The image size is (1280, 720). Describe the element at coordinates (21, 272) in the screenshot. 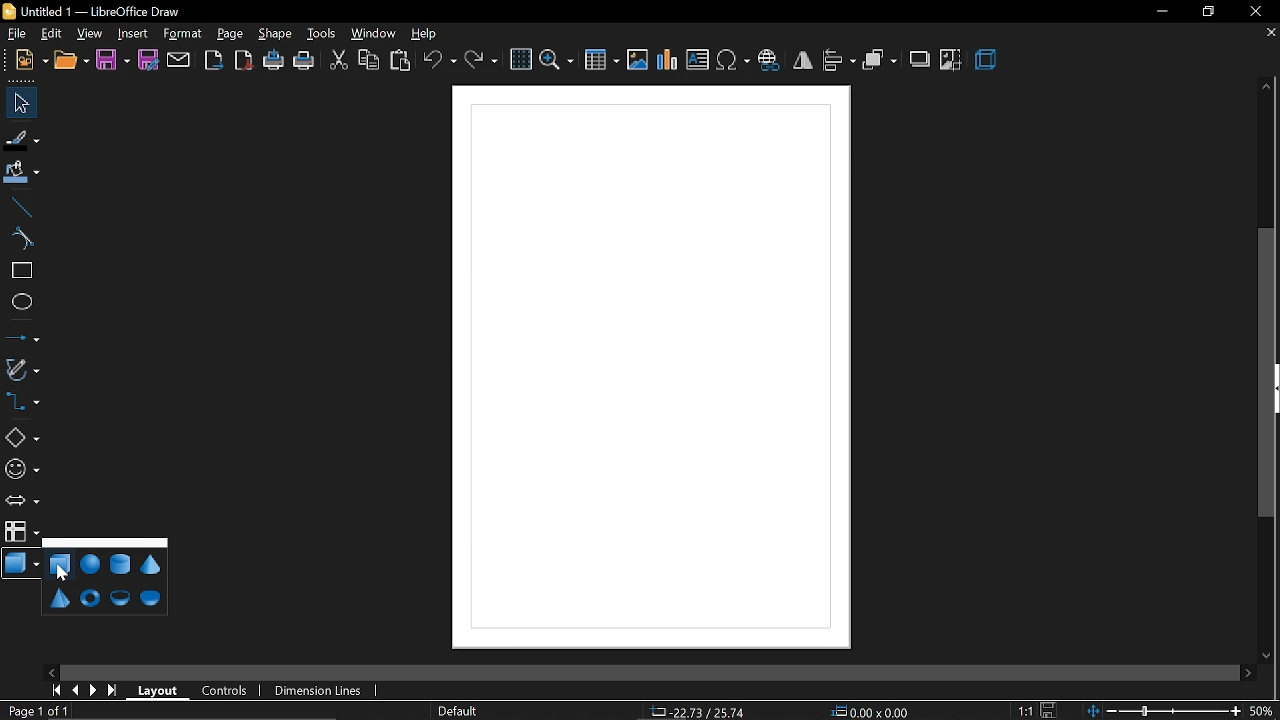

I see `rectangle` at that location.